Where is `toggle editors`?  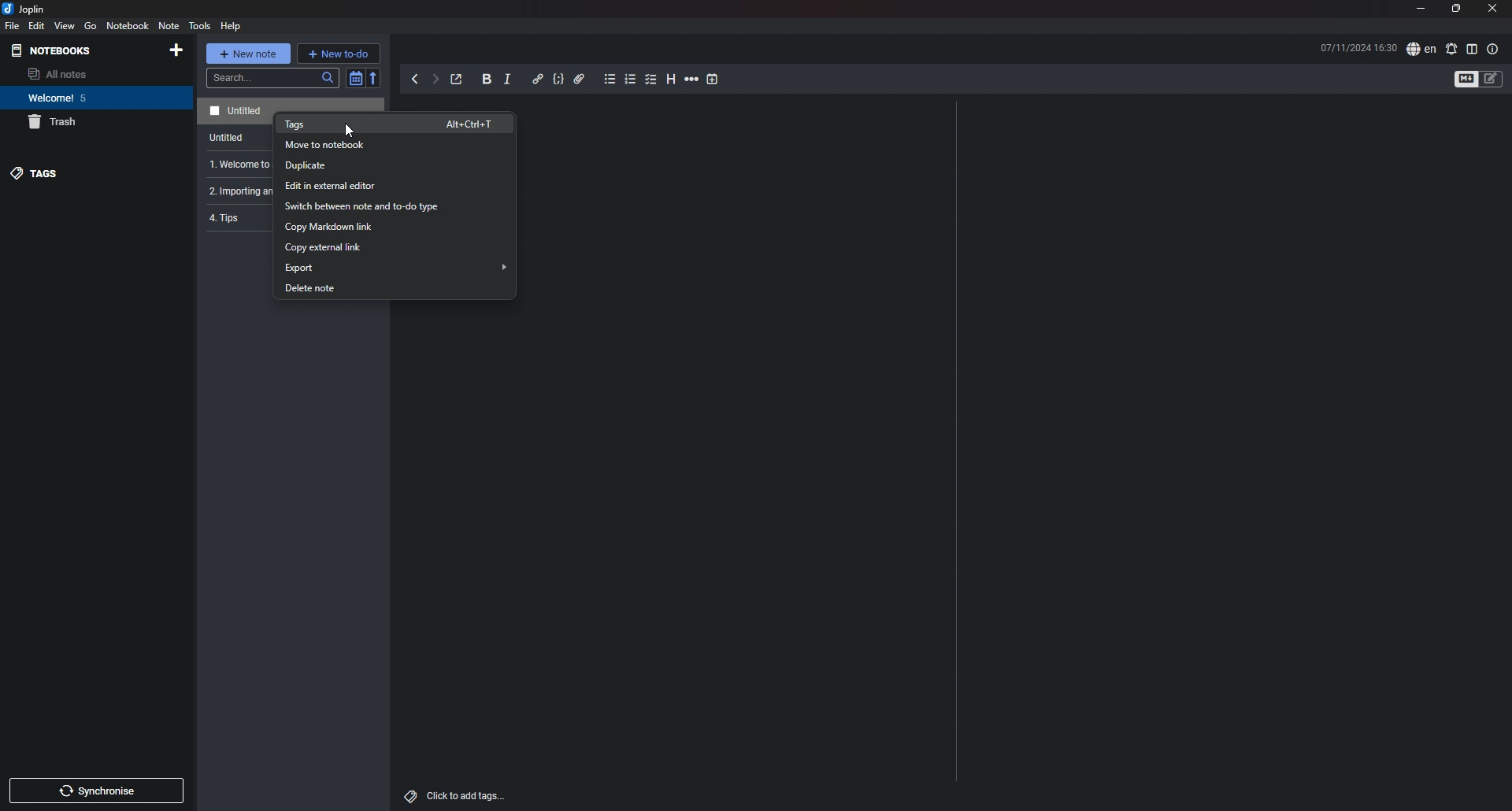 toggle editors is located at coordinates (1492, 79).